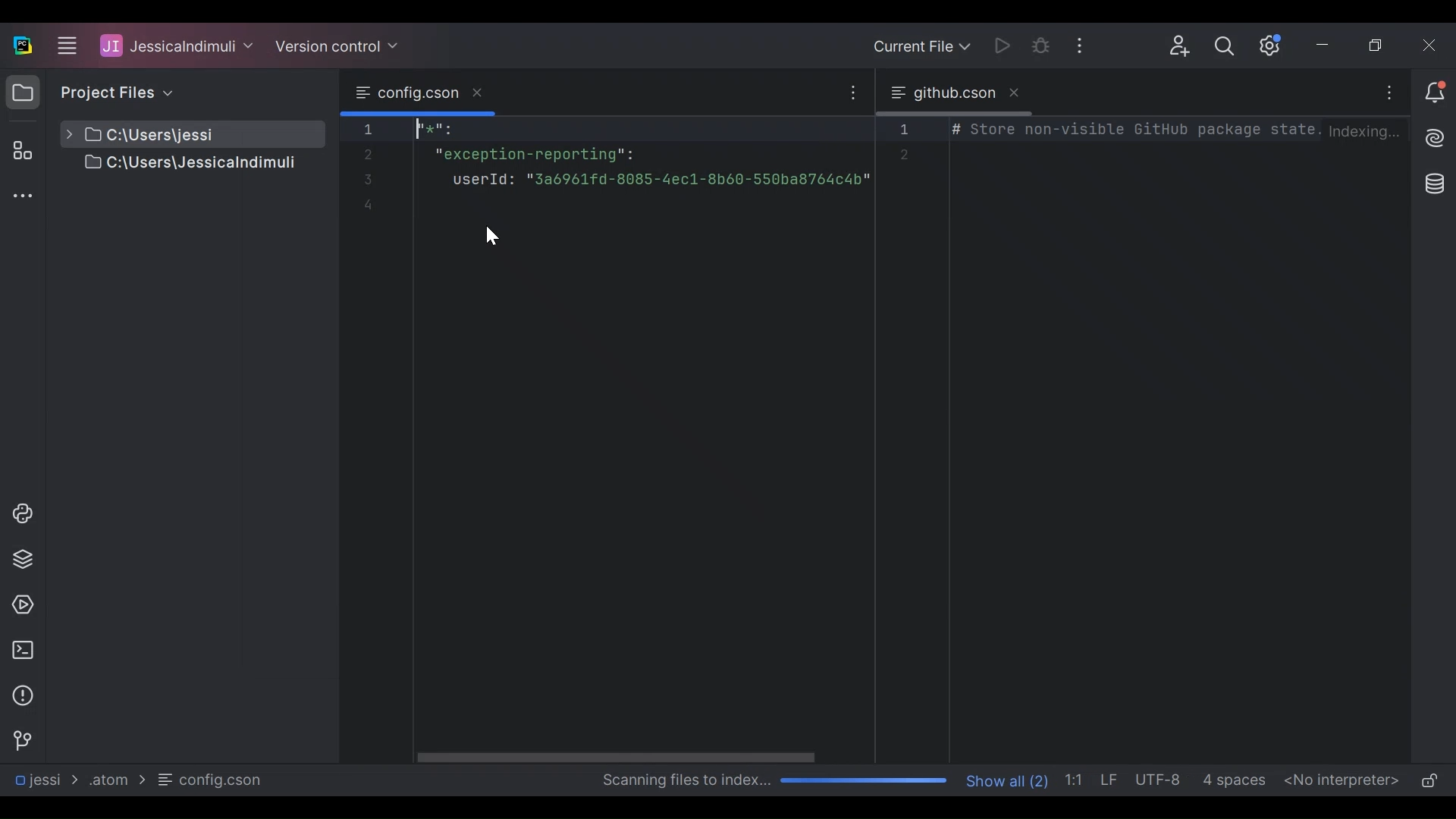  I want to click on Line Column, so click(1077, 779).